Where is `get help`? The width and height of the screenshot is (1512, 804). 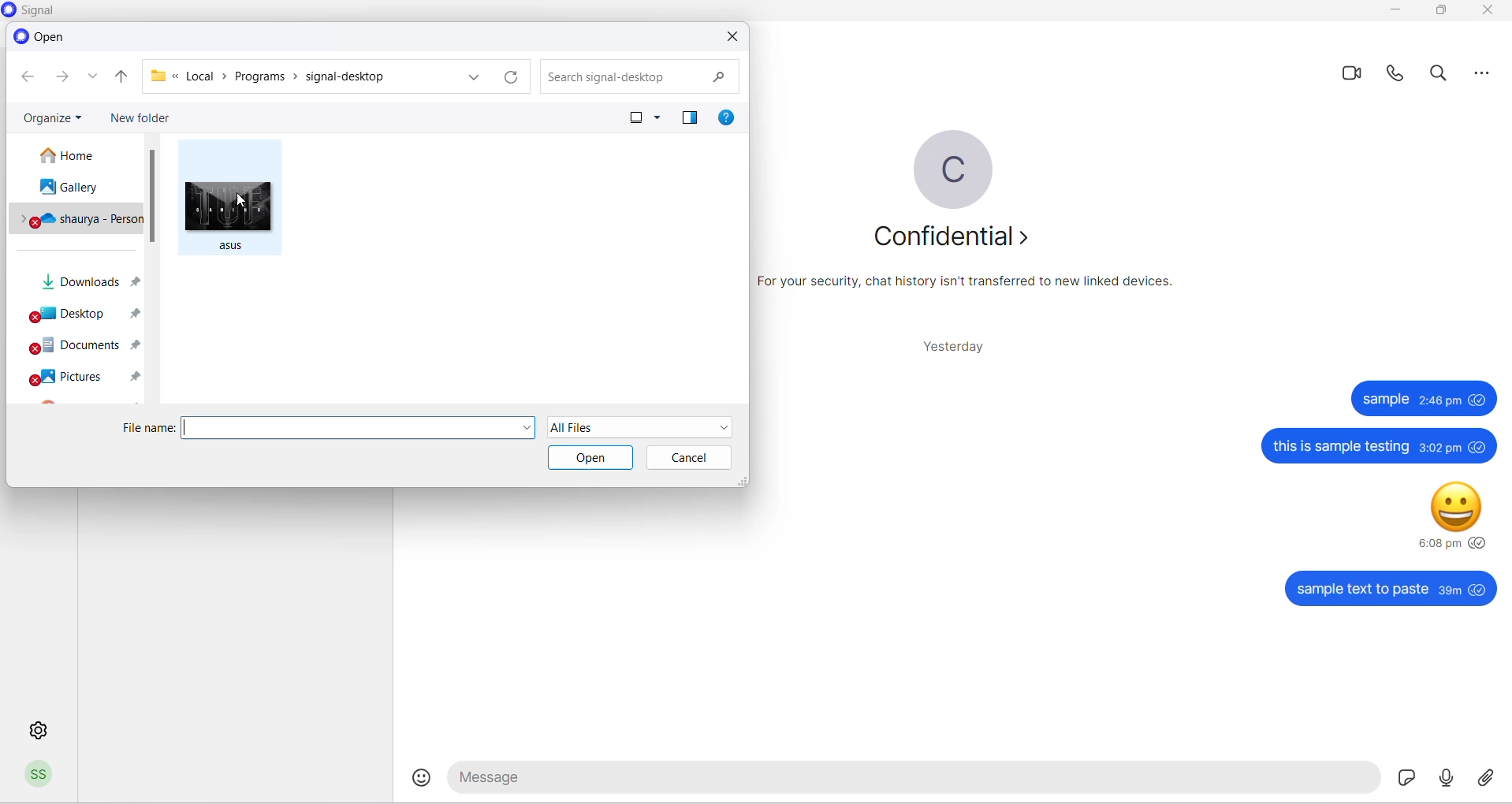
get help is located at coordinates (729, 120).